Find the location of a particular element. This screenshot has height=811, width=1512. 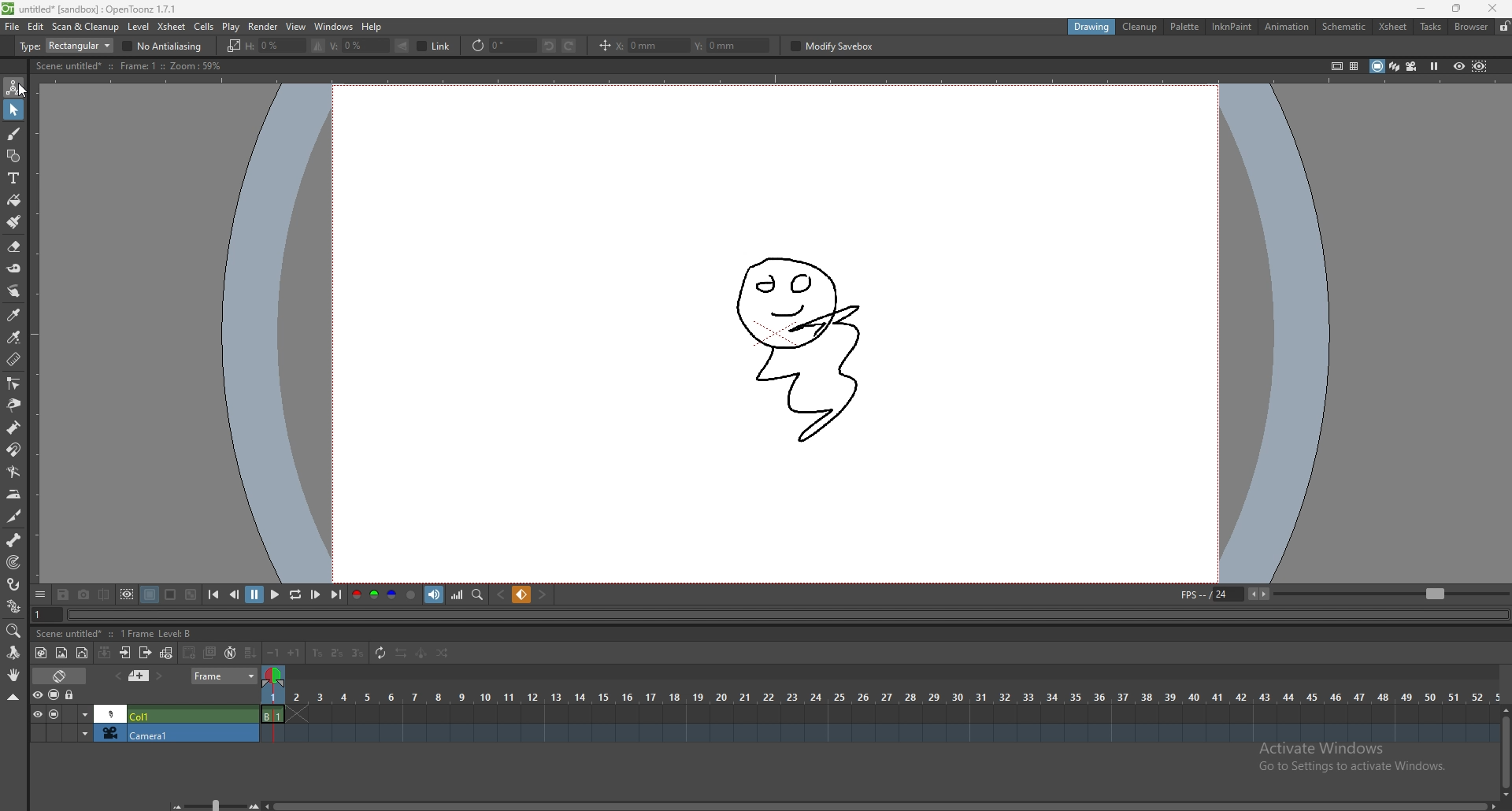

soundtrack is located at coordinates (436, 595).